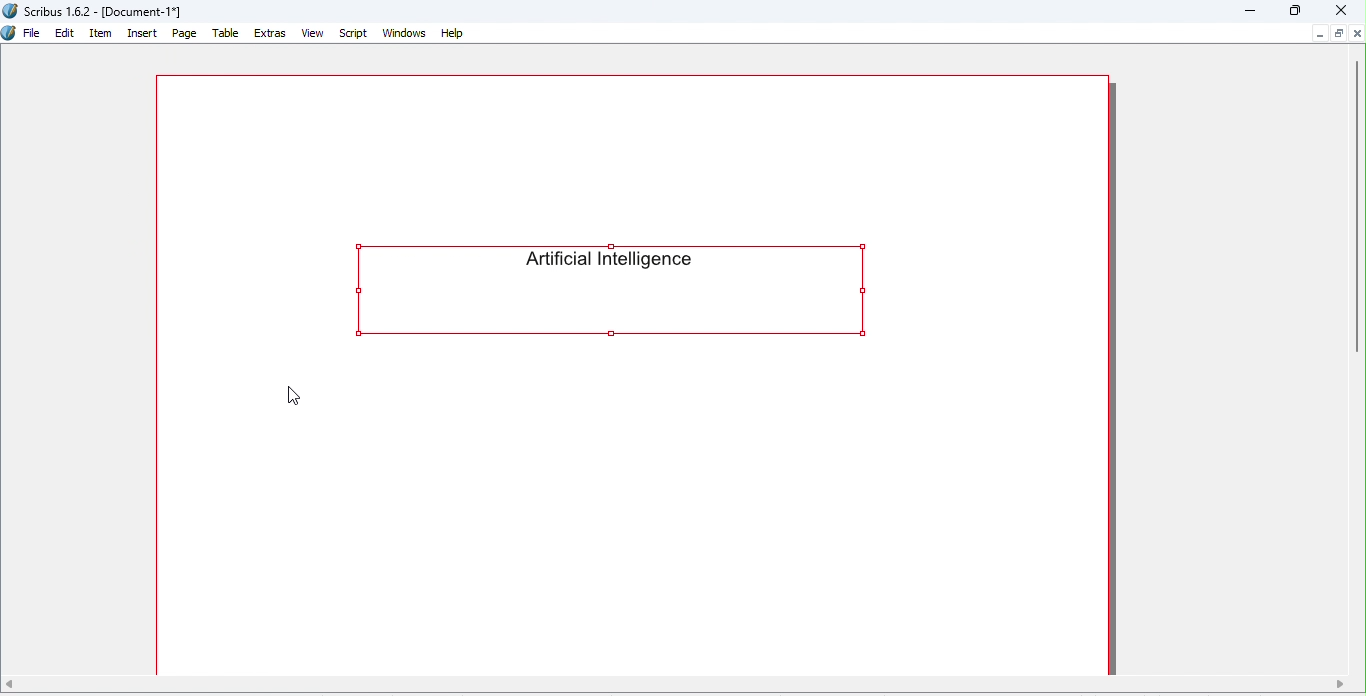  Describe the element at coordinates (10, 683) in the screenshot. I see `move left` at that location.